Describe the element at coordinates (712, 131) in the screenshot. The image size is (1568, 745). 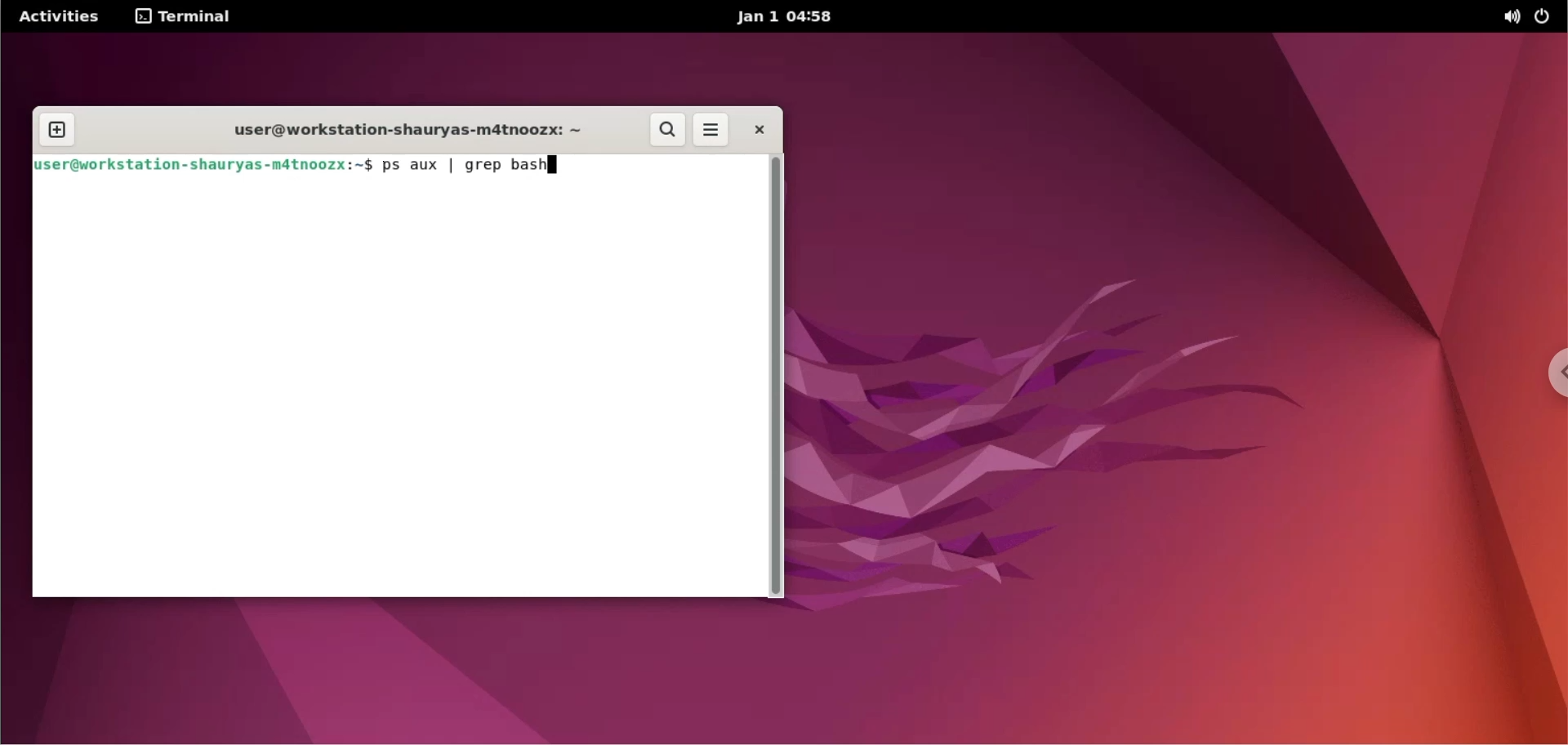
I see `more options` at that location.